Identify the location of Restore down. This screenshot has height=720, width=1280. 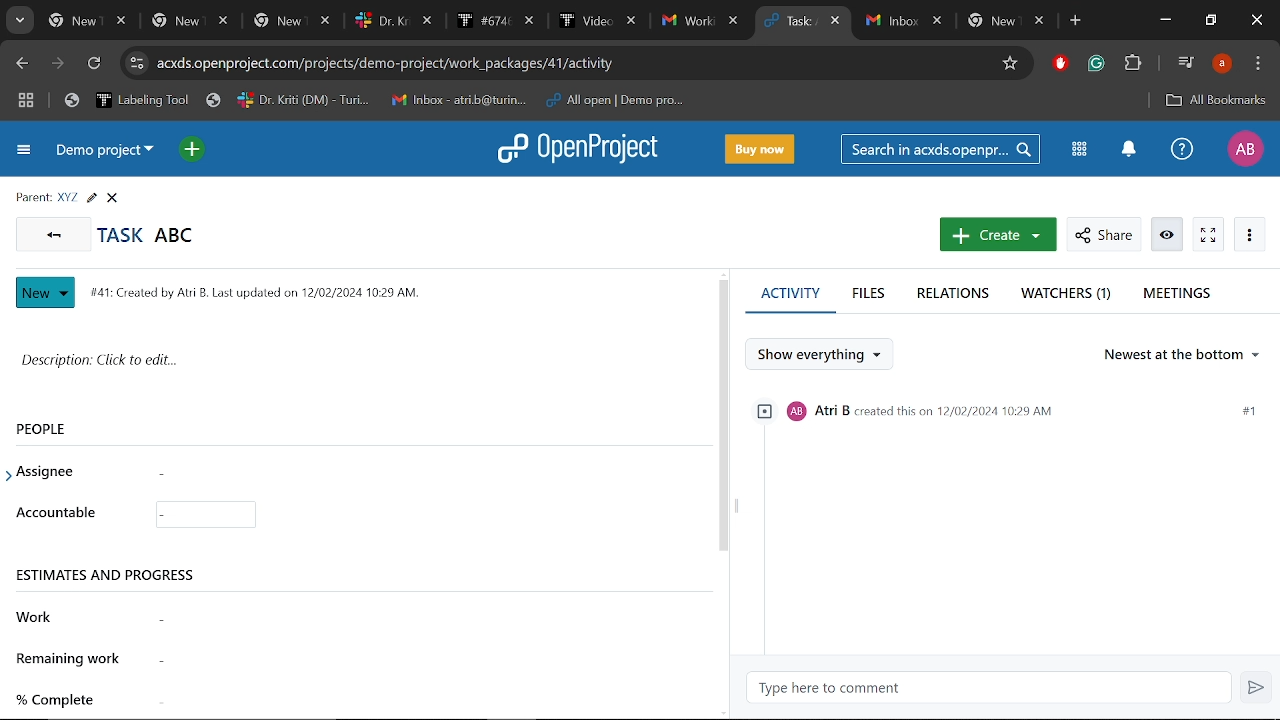
(1210, 19).